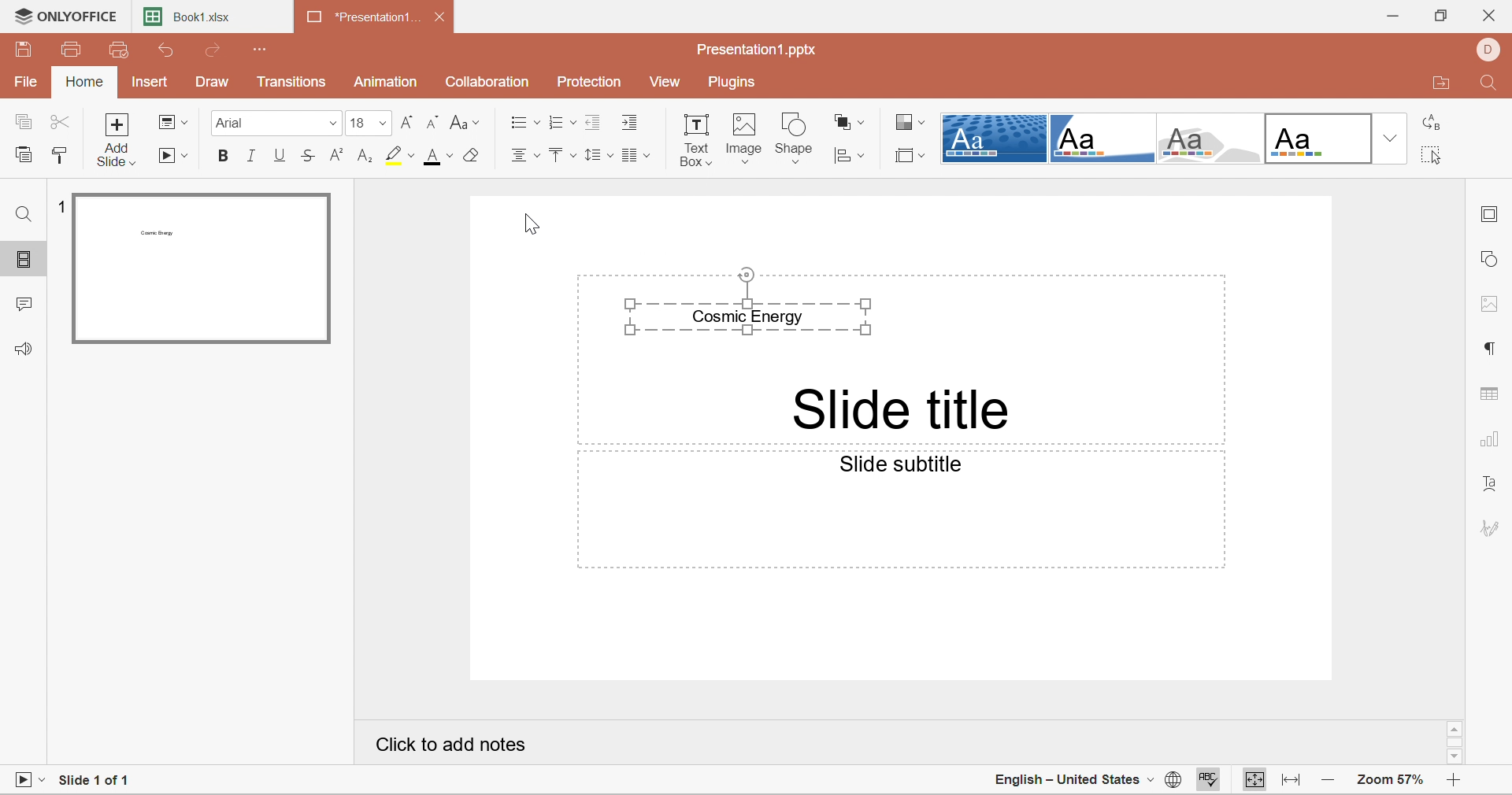  What do you see at coordinates (60, 123) in the screenshot?
I see `Cut` at bounding box center [60, 123].